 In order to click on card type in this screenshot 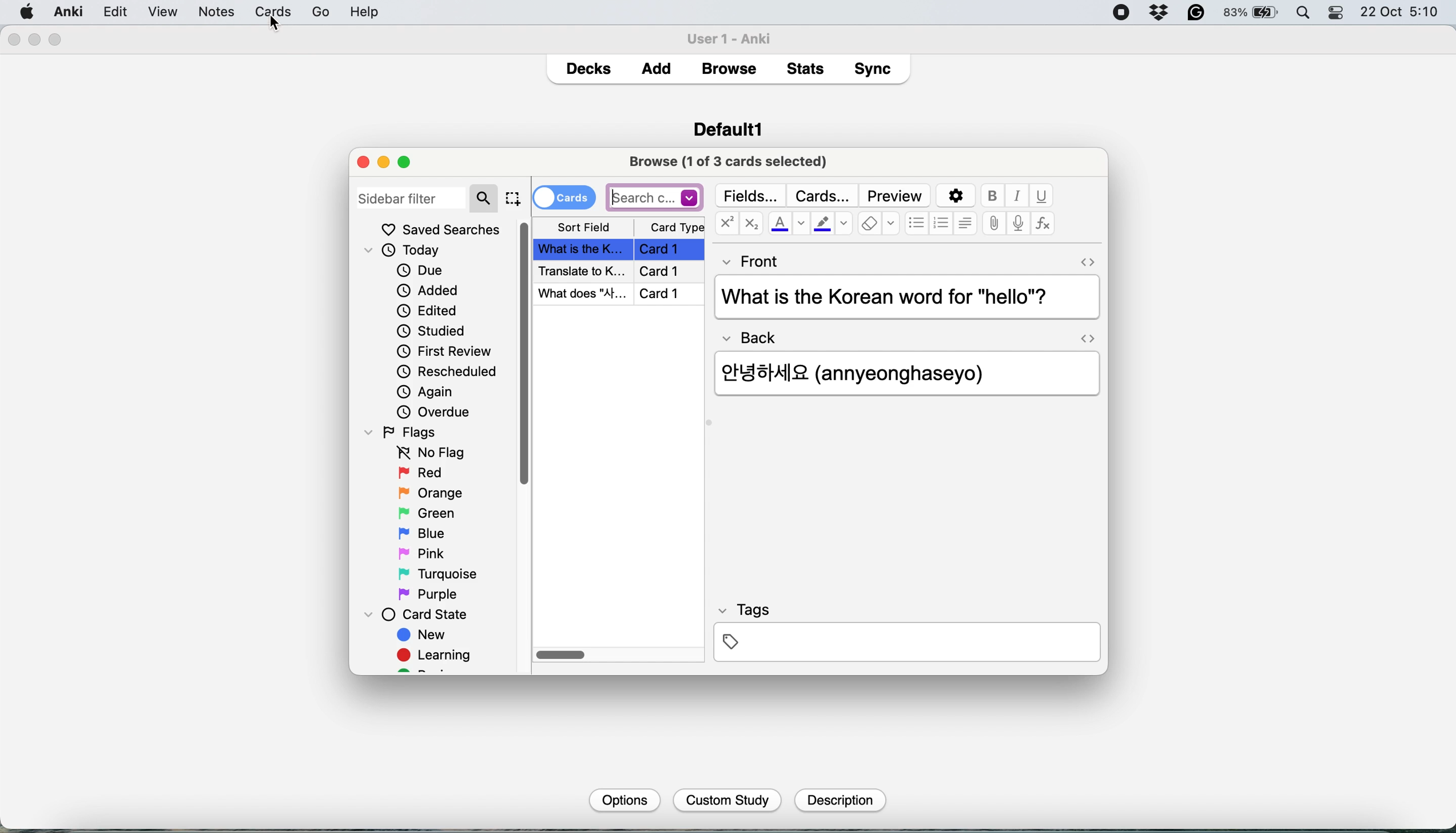, I will do `click(675, 228)`.